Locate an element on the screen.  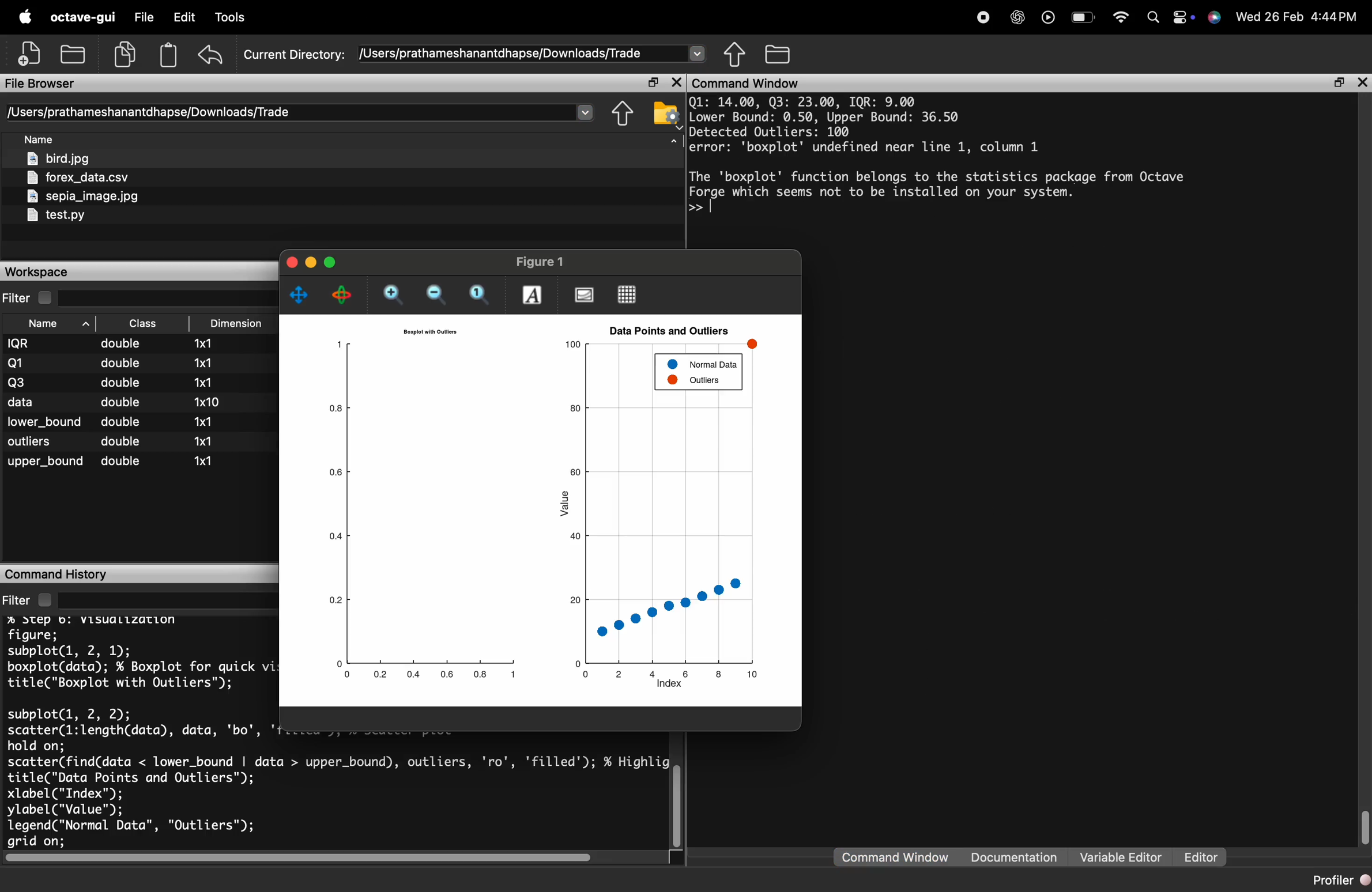
undo is located at coordinates (210, 55).